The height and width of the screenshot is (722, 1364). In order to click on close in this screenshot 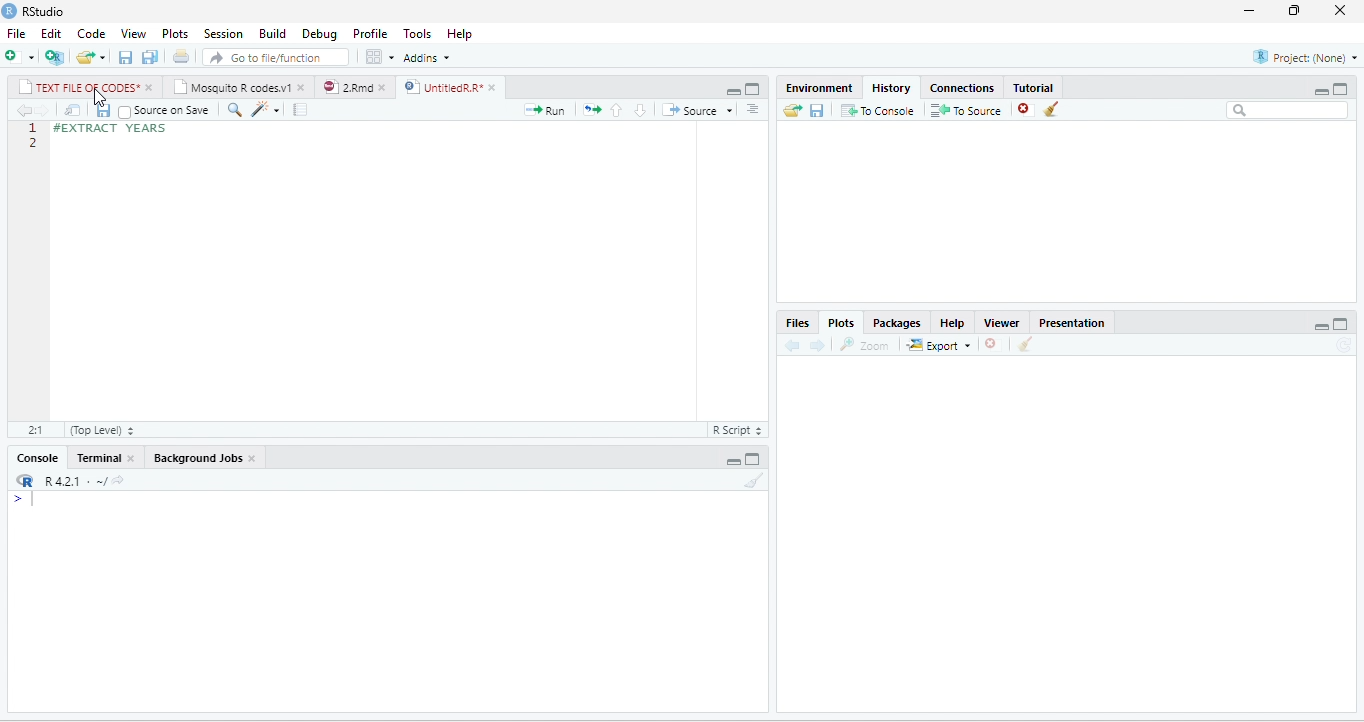, I will do `click(132, 457)`.